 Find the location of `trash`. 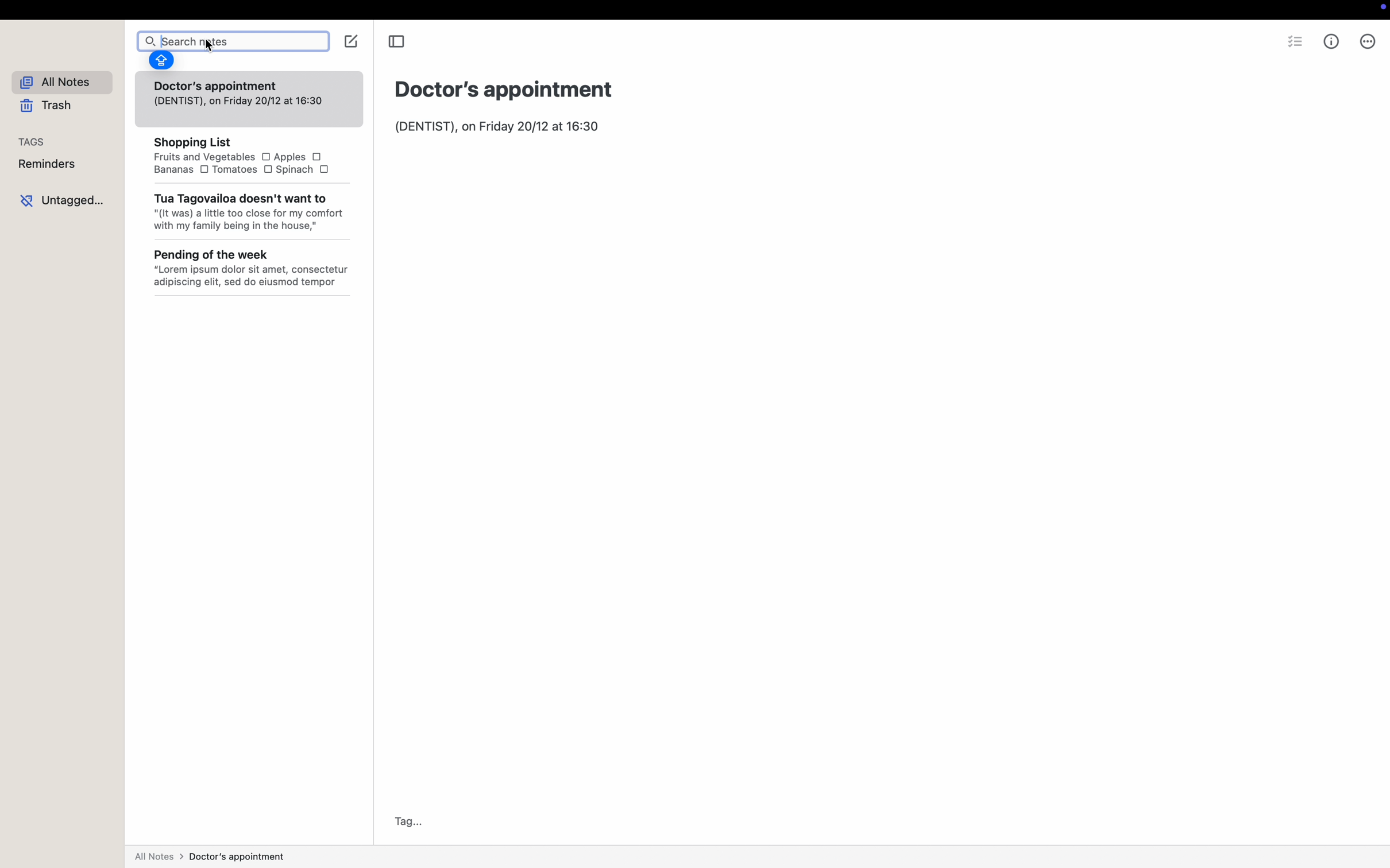

trash is located at coordinates (48, 106).